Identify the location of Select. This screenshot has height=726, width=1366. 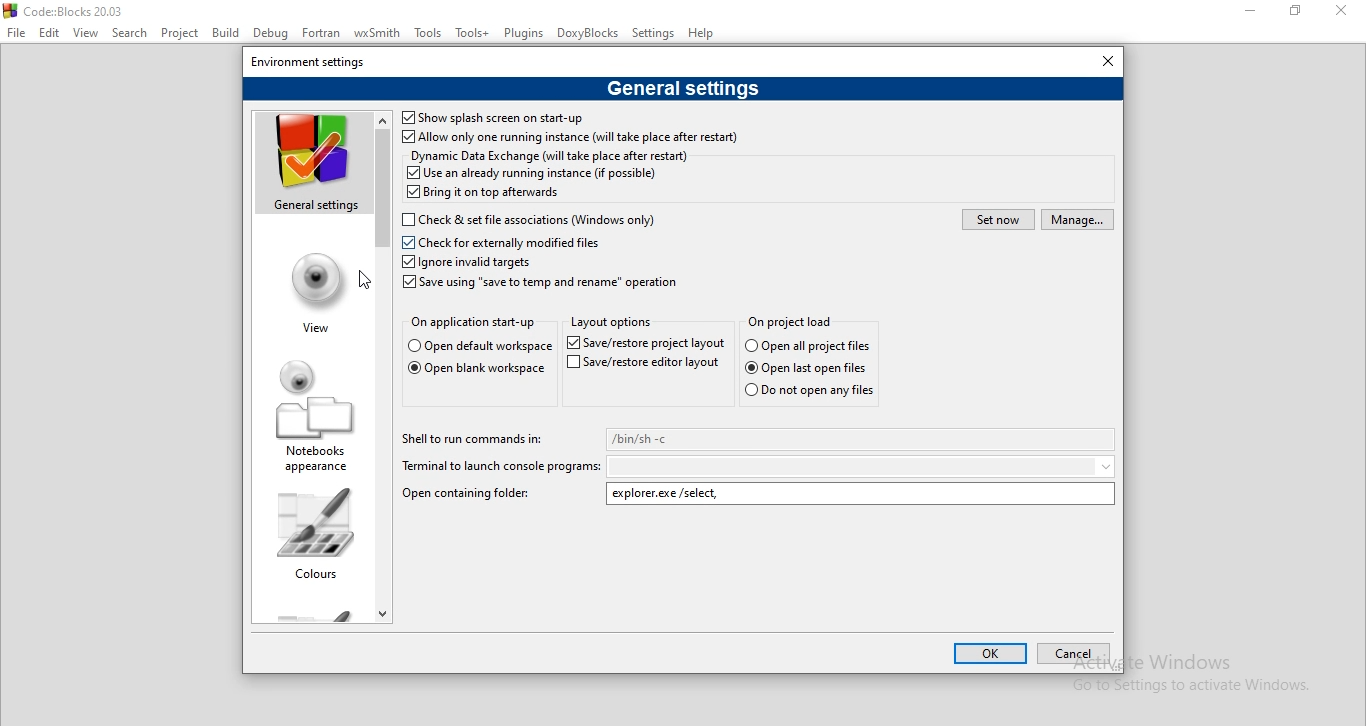
(132, 35).